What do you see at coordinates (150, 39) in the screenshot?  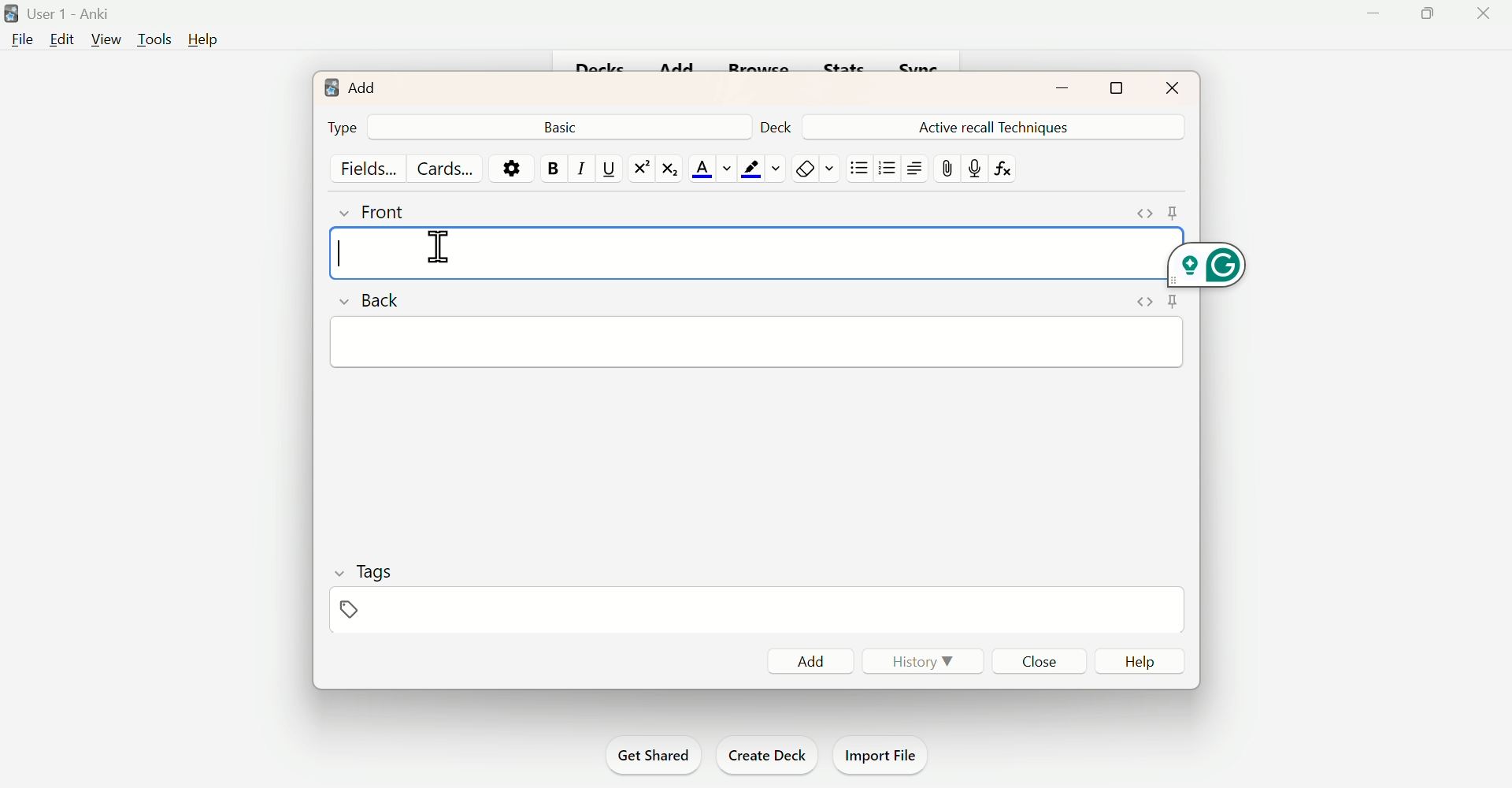 I see `Tools` at bounding box center [150, 39].